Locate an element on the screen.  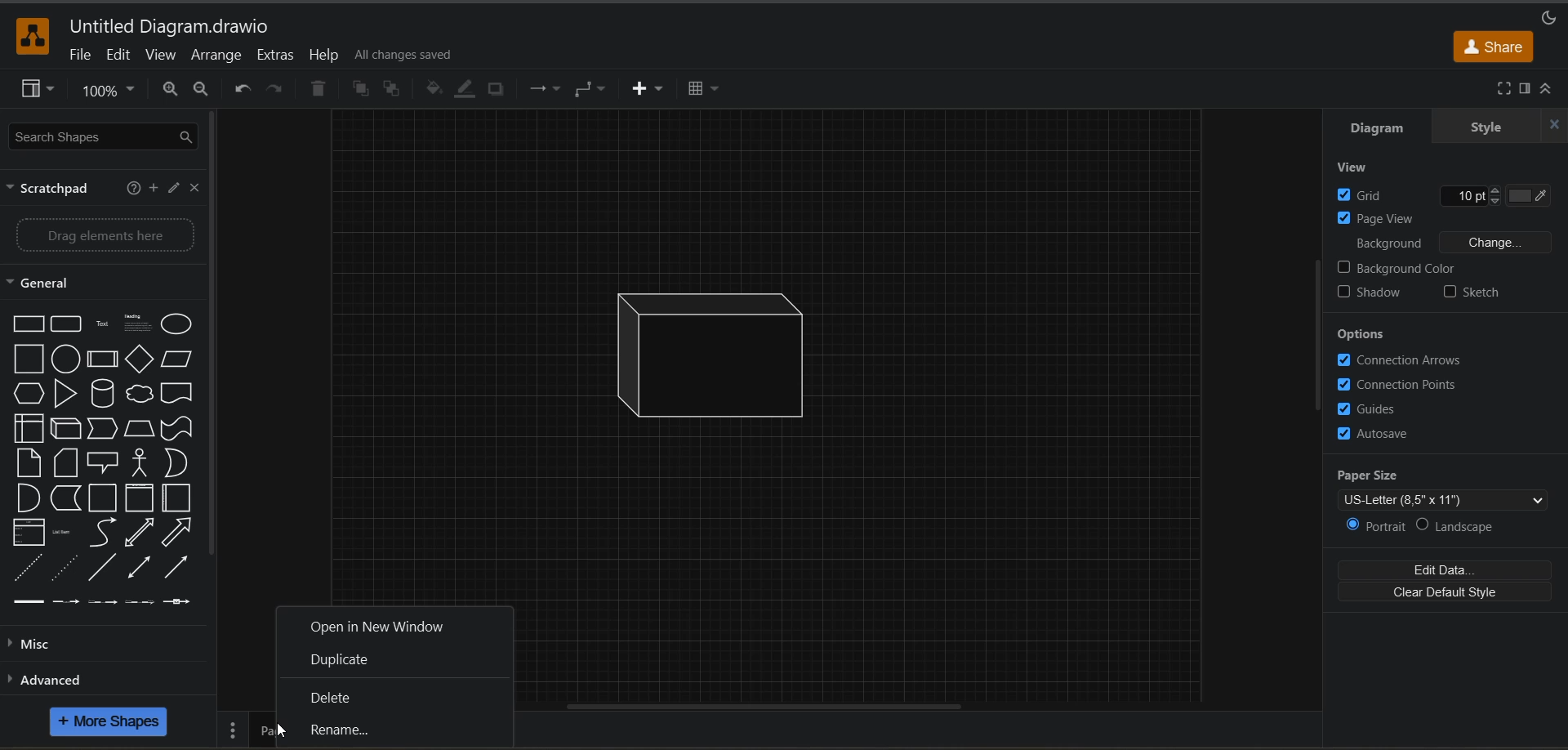
duplicate is located at coordinates (352, 659).